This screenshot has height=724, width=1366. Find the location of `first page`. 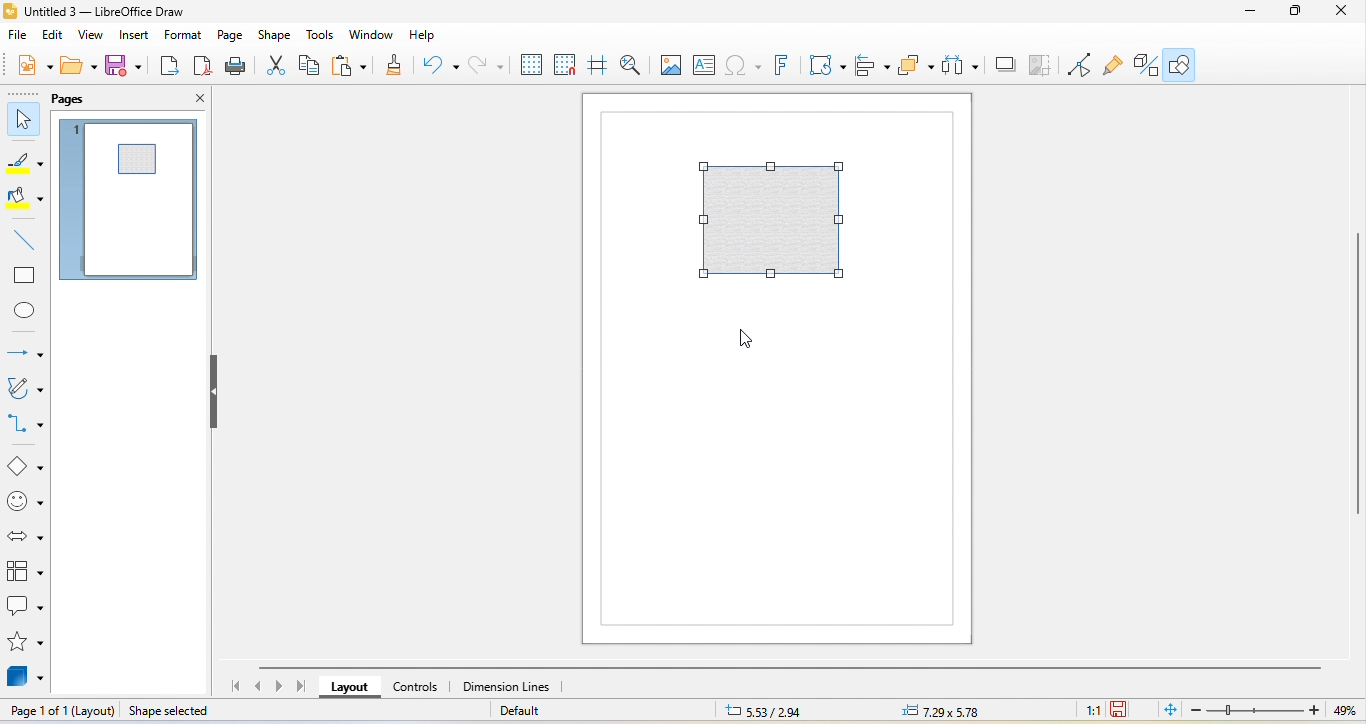

first page is located at coordinates (232, 686).